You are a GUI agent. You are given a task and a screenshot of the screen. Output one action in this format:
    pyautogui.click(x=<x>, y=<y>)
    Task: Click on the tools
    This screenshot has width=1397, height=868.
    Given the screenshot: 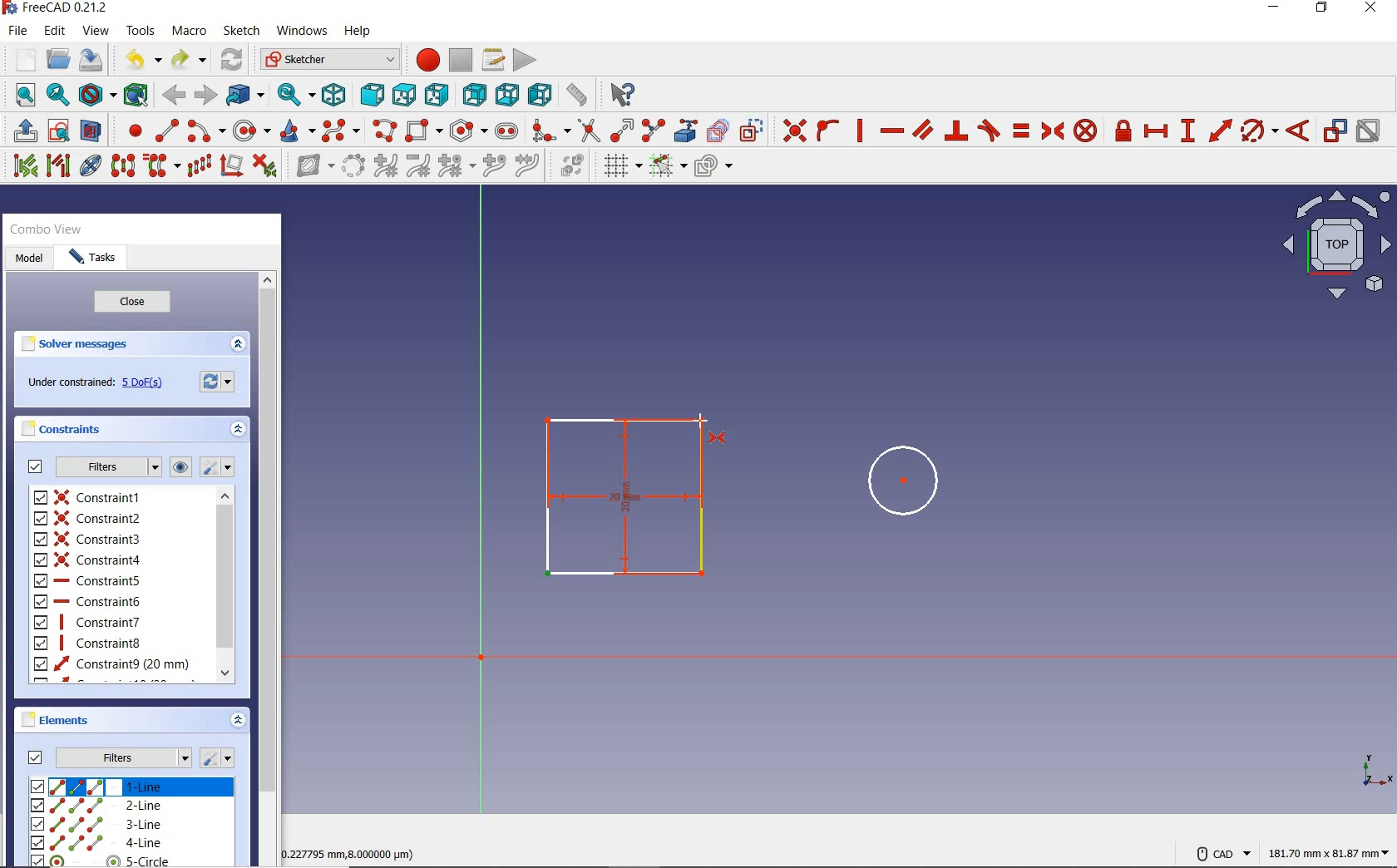 What is the action you would take?
    pyautogui.click(x=141, y=31)
    